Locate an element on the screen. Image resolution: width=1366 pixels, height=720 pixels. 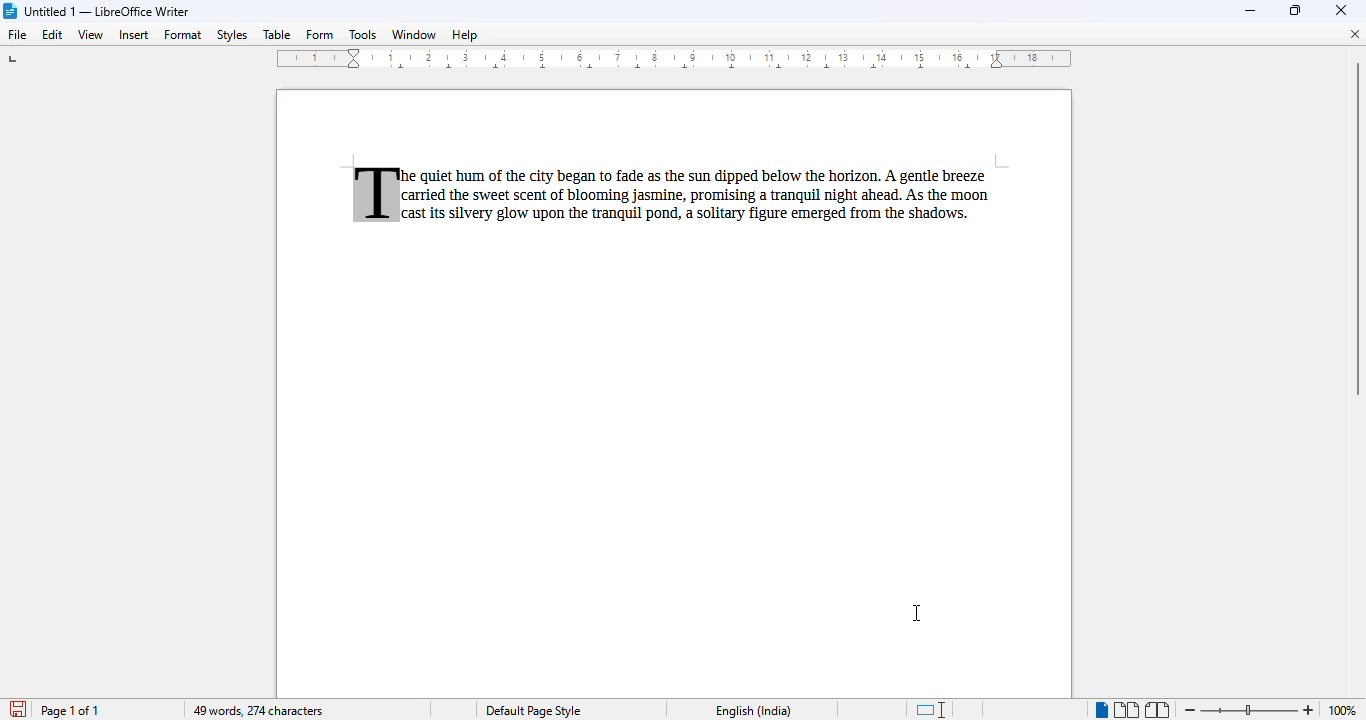
insert is located at coordinates (134, 35).